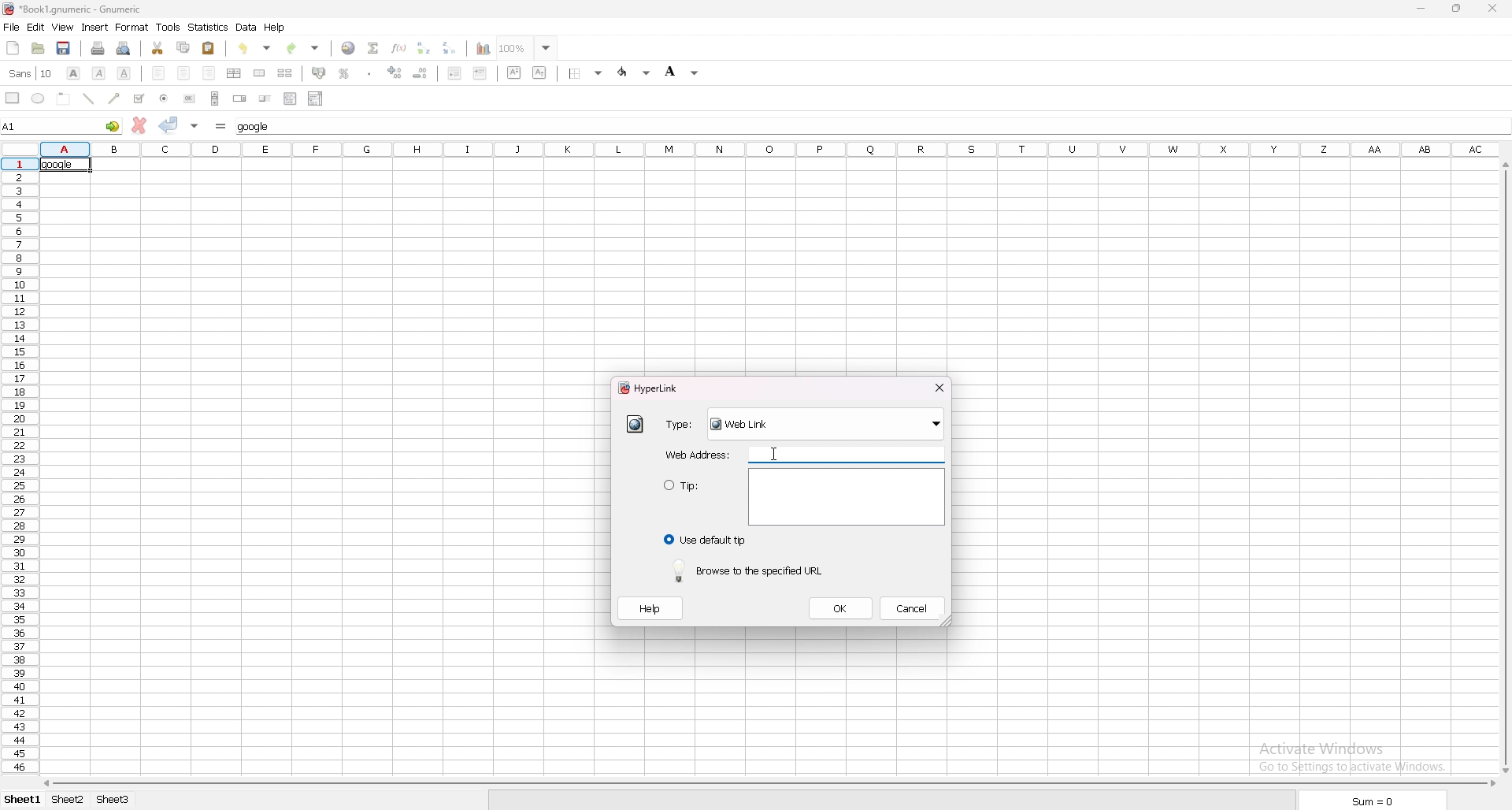 The width and height of the screenshot is (1512, 810). Describe the element at coordinates (371, 72) in the screenshot. I see `thousands separator` at that location.